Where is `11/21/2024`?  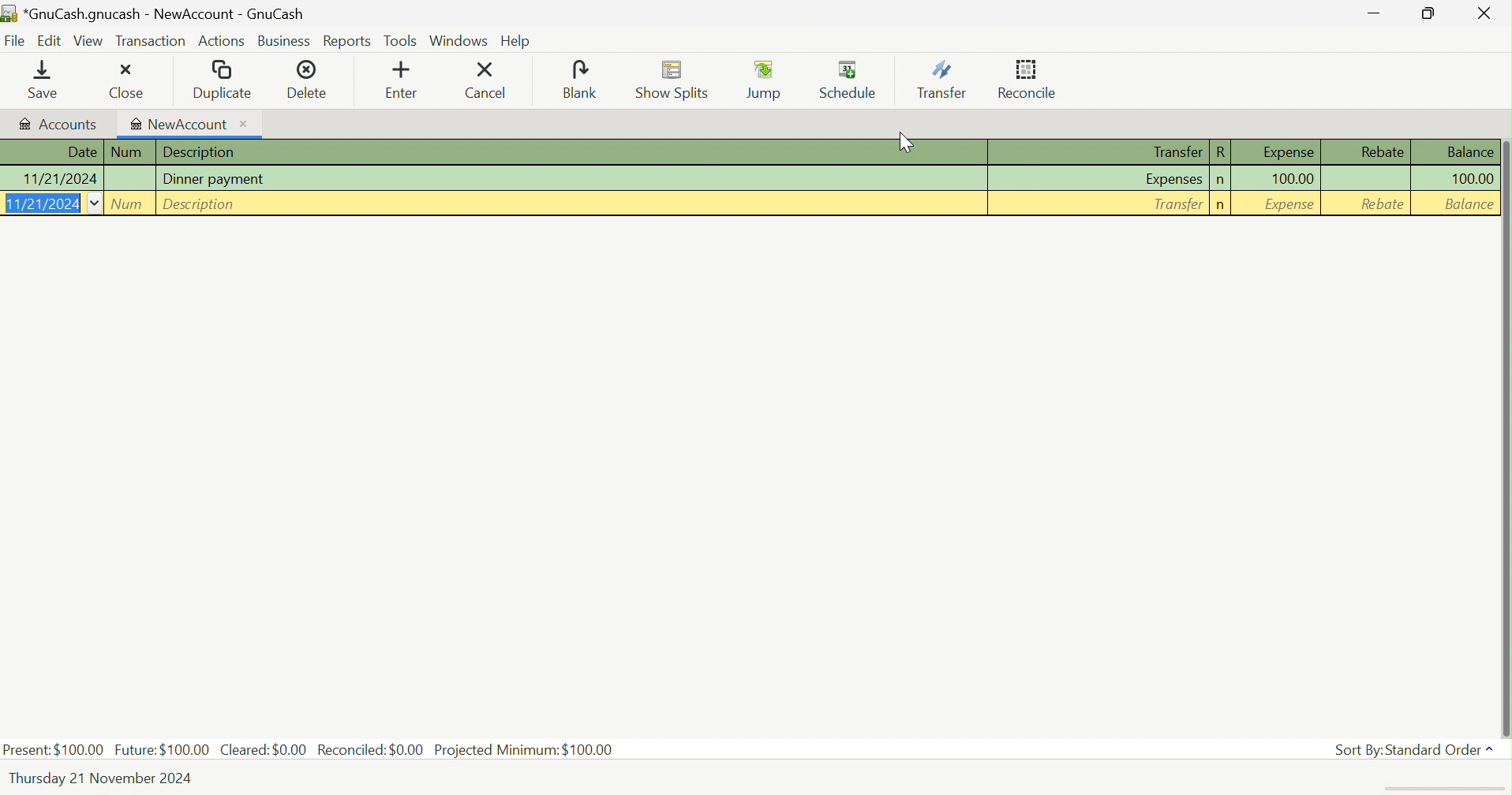 11/21/2024 is located at coordinates (58, 179).